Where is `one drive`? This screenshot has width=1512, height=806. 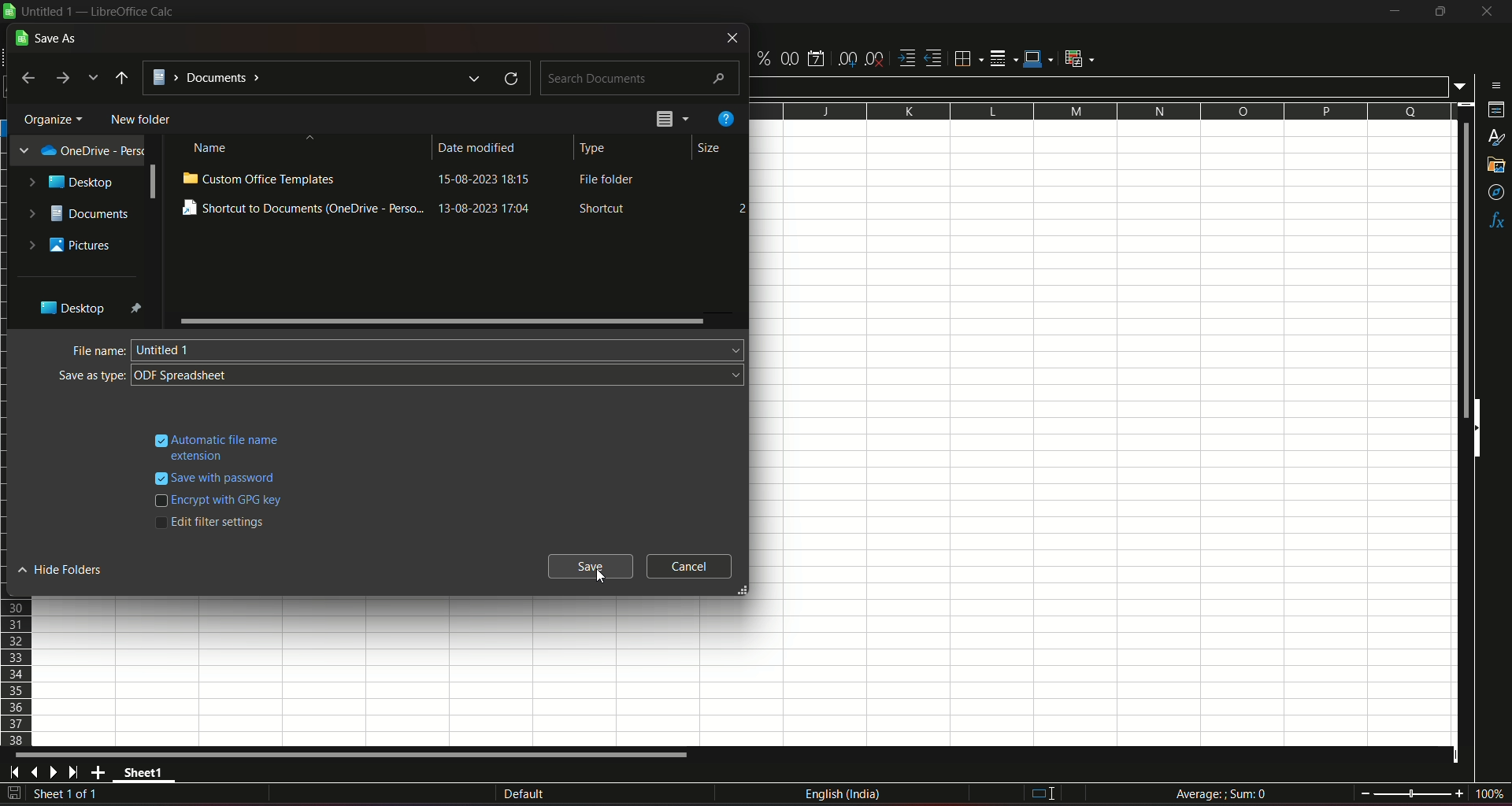 one drive is located at coordinates (77, 151).